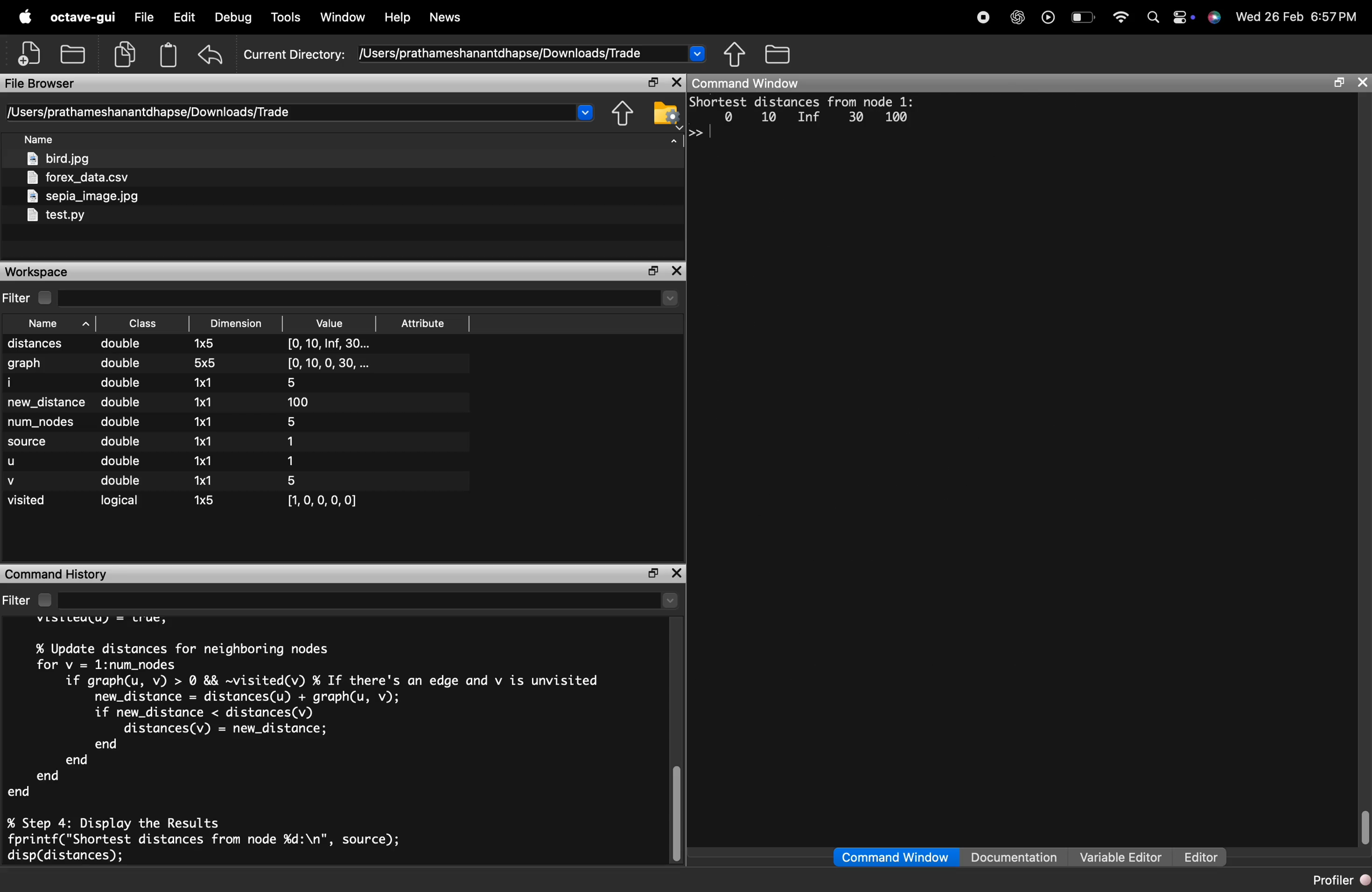 The width and height of the screenshot is (1372, 892). I want to click on window, so click(343, 17).